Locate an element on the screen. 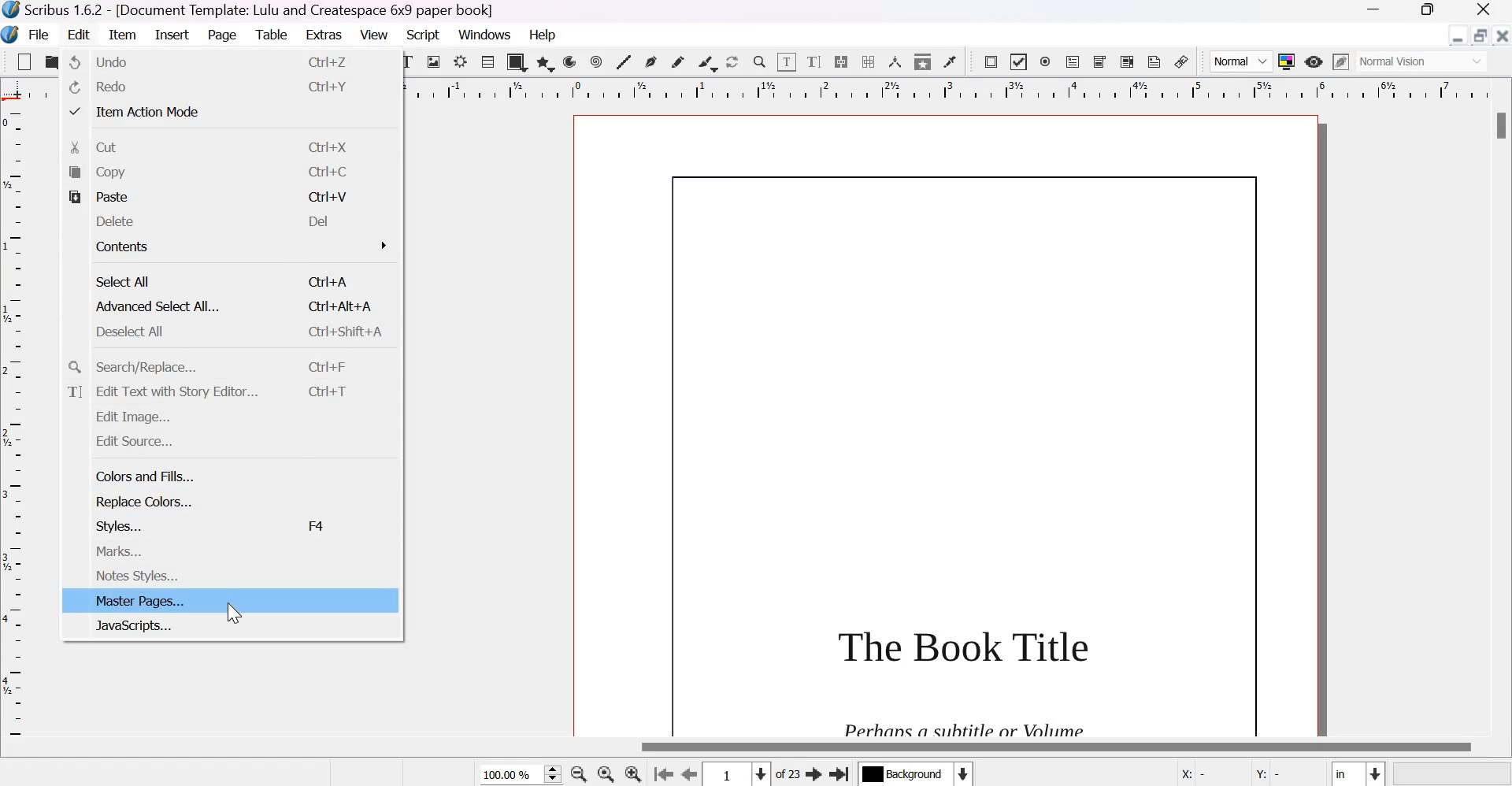  Close is located at coordinates (1503, 35).